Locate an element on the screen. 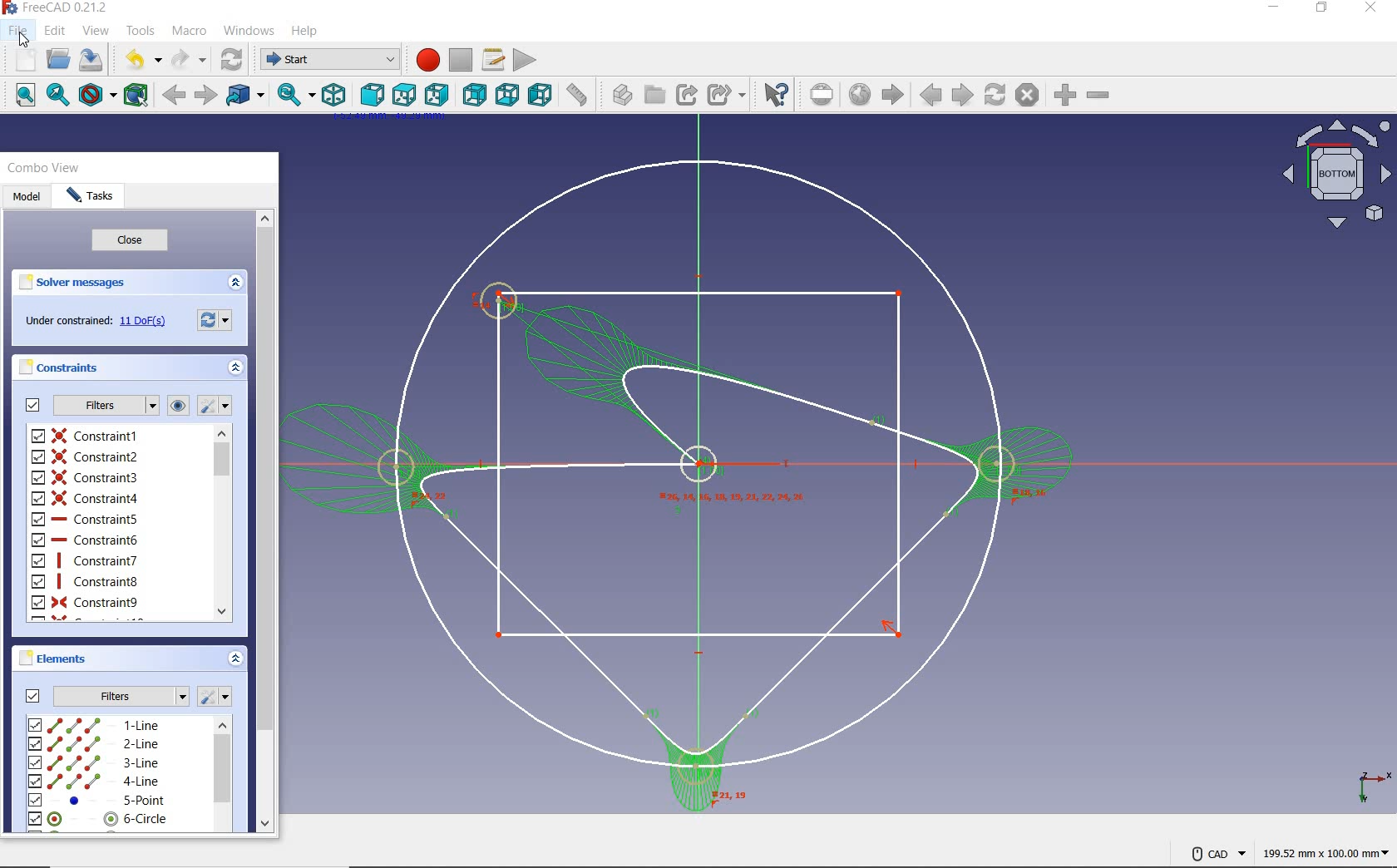 This screenshot has width=1397, height=868. zoomout is located at coordinates (1100, 98).